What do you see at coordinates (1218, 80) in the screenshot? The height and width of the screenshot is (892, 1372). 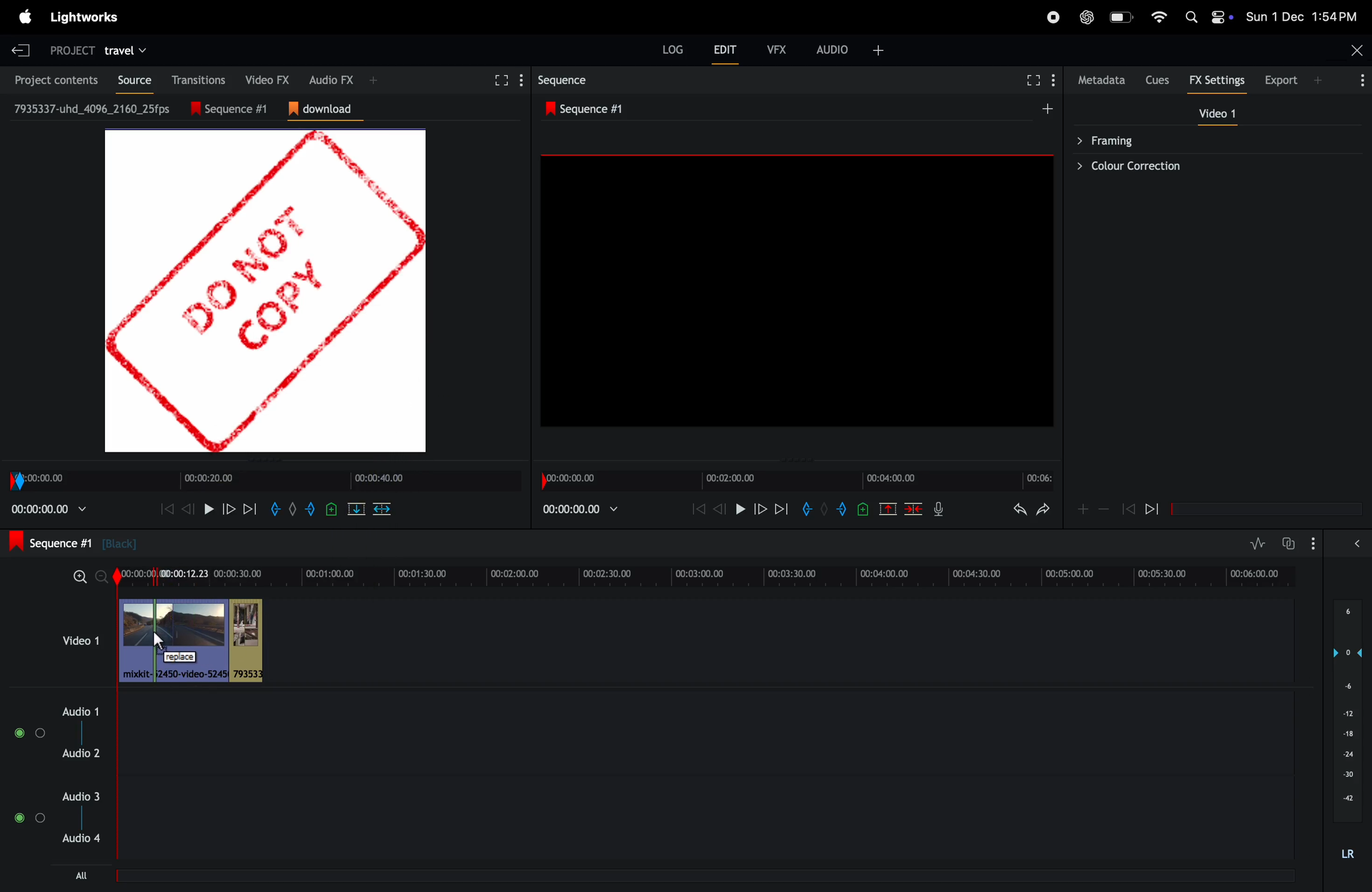 I see `Fx setting` at bounding box center [1218, 80].